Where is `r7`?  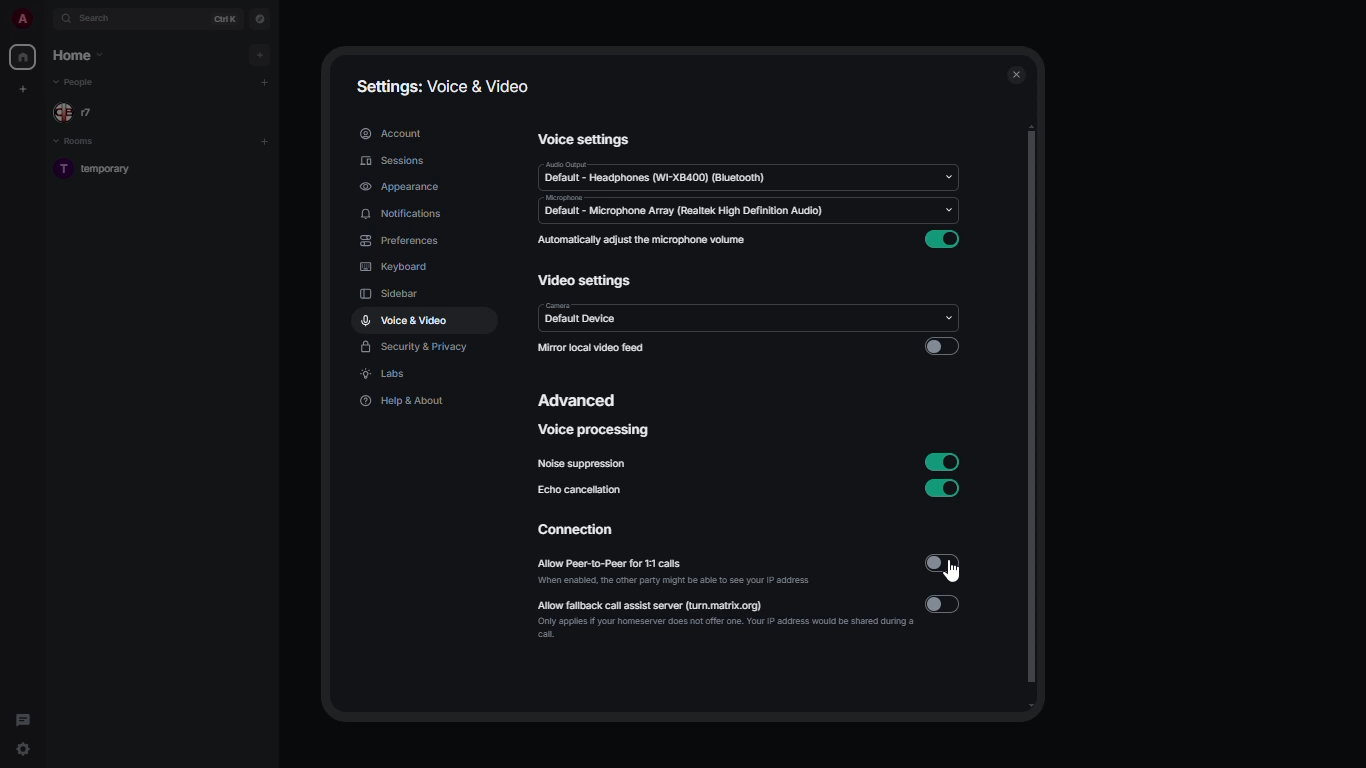
r7 is located at coordinates (81, 111).